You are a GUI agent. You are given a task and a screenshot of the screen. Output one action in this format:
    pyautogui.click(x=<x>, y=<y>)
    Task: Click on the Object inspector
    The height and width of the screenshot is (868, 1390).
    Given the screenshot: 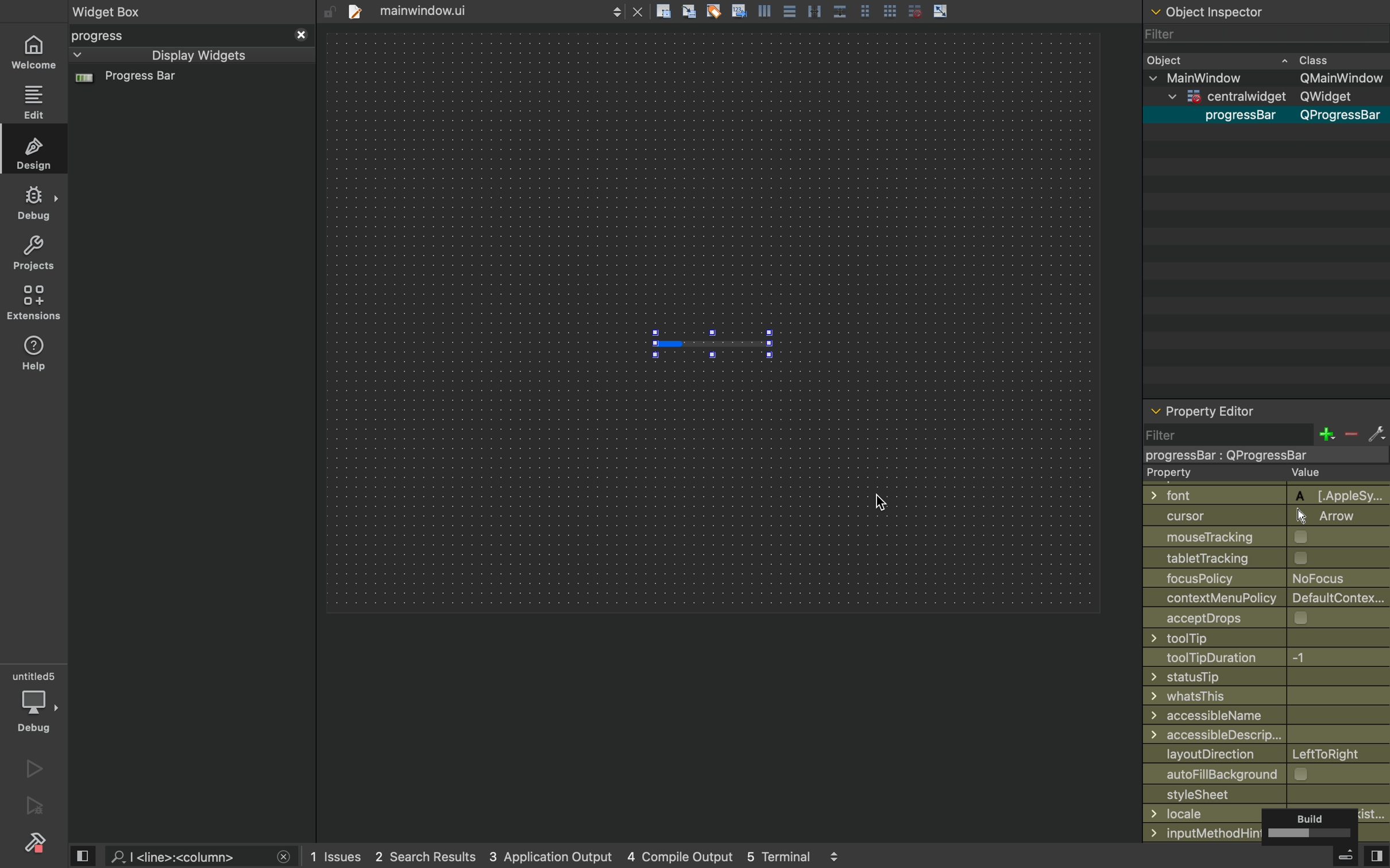 What is the action you would take?
    pyautogui.click(x=1267, y=10)
    